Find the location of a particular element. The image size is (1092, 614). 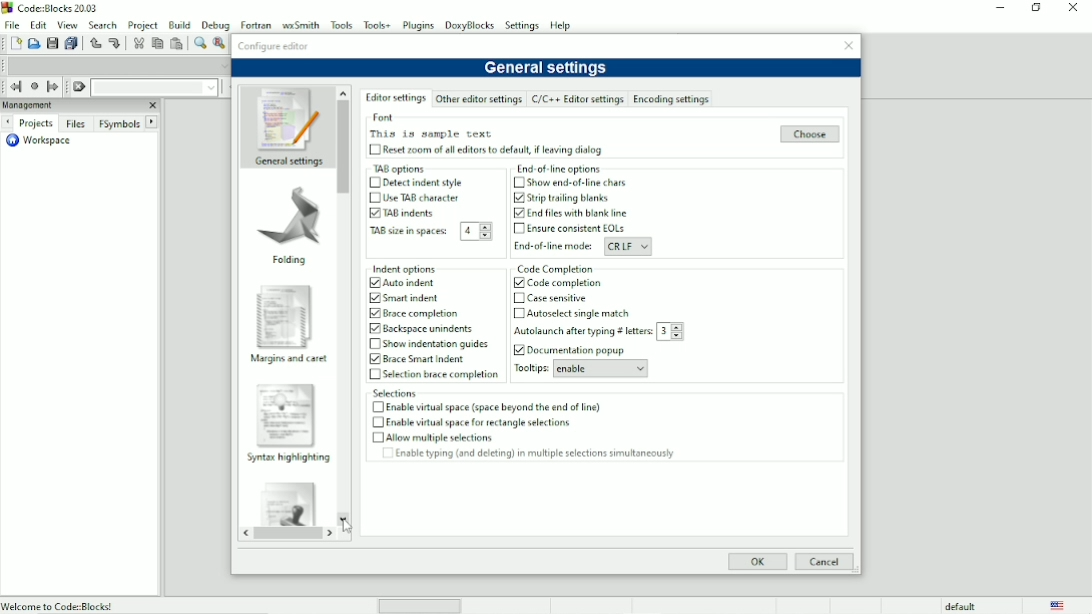

End-of-line mode: is located at coordinates (550, 246).